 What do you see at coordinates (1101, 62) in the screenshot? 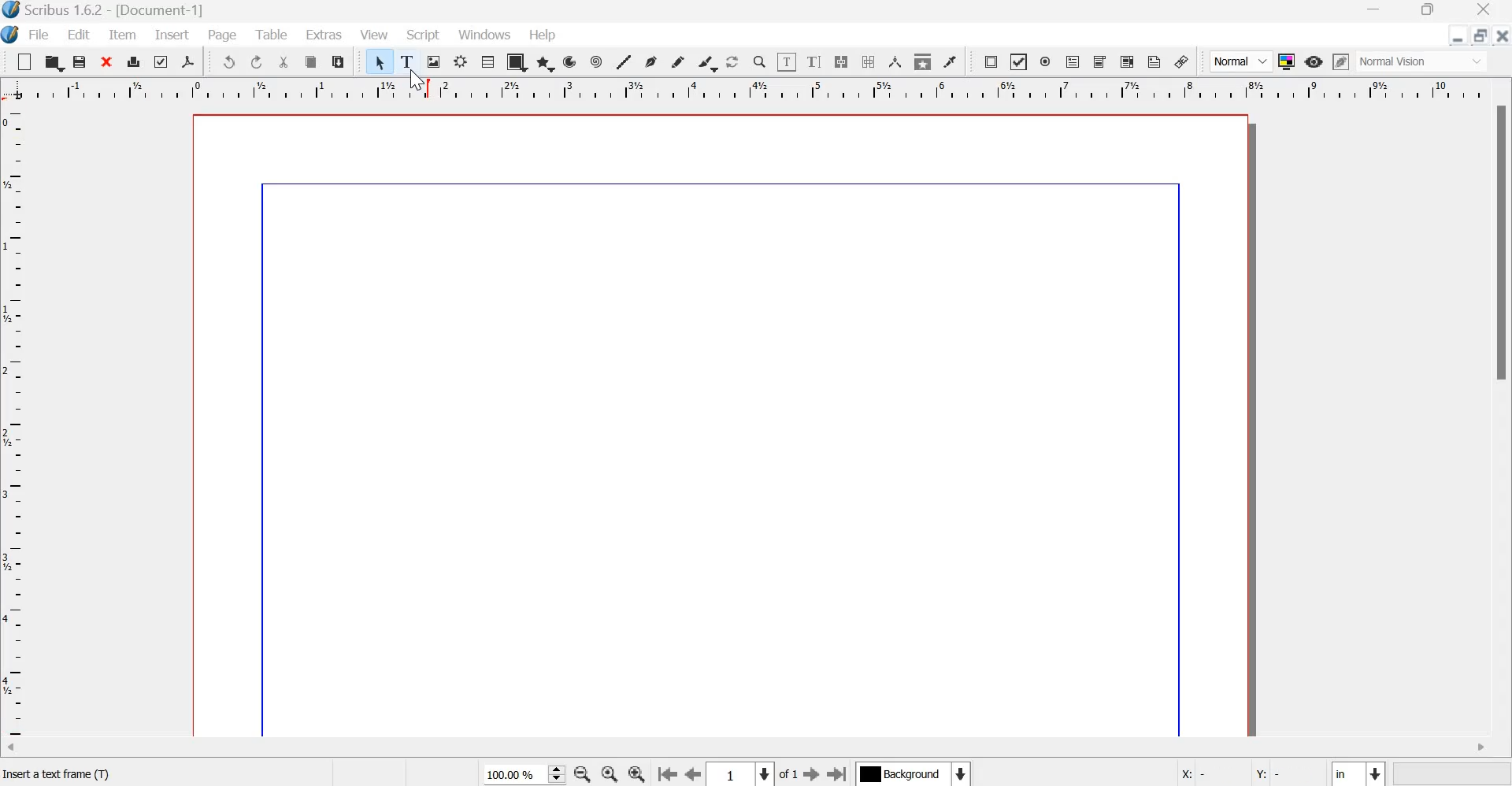
I see `PDF Combo Box` at bounding box center [1101, 62].